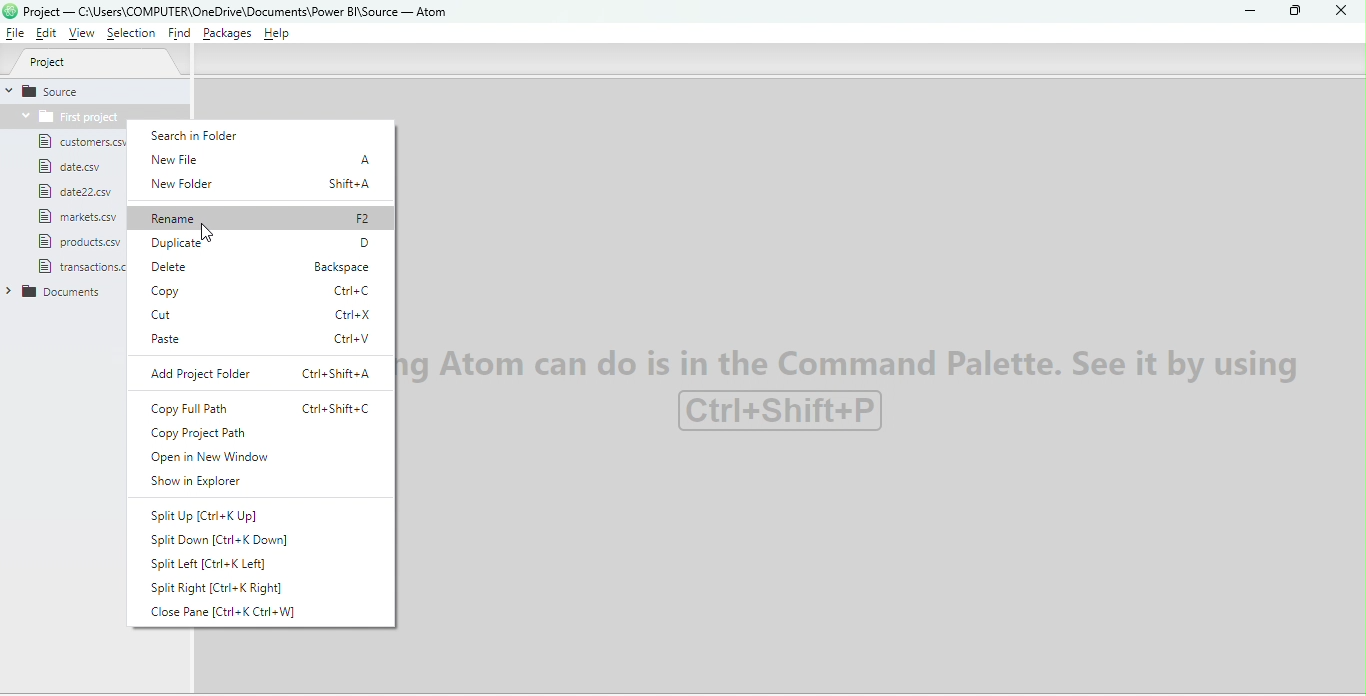 Image resolution: width=1366 pixels, height=696 pixels. I want to click on File, so click(83, 266).